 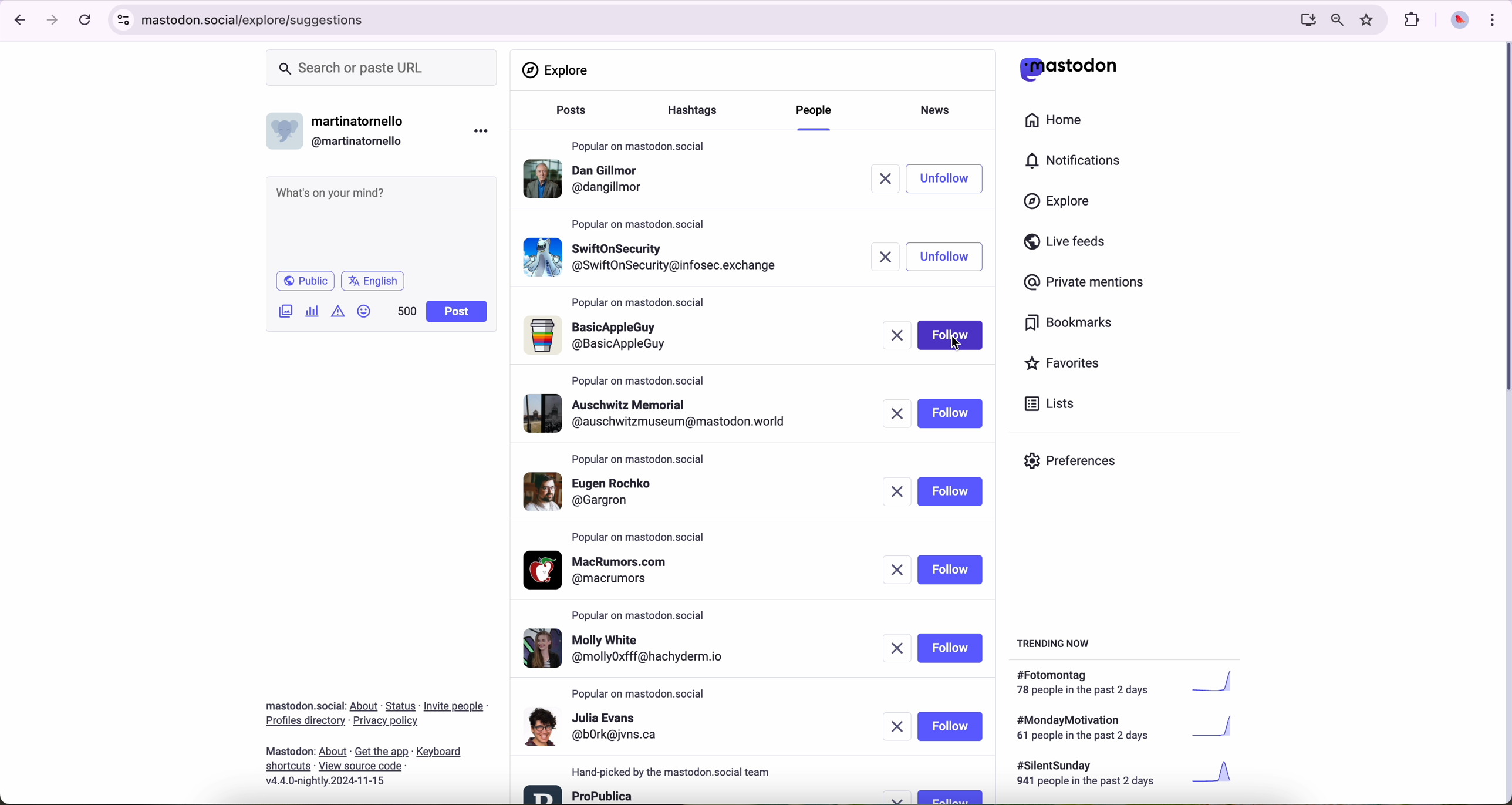 What do you see at coordinates (1413, 20) in the screenshot?
I see `extensions` at bounding box center [1413, 20].